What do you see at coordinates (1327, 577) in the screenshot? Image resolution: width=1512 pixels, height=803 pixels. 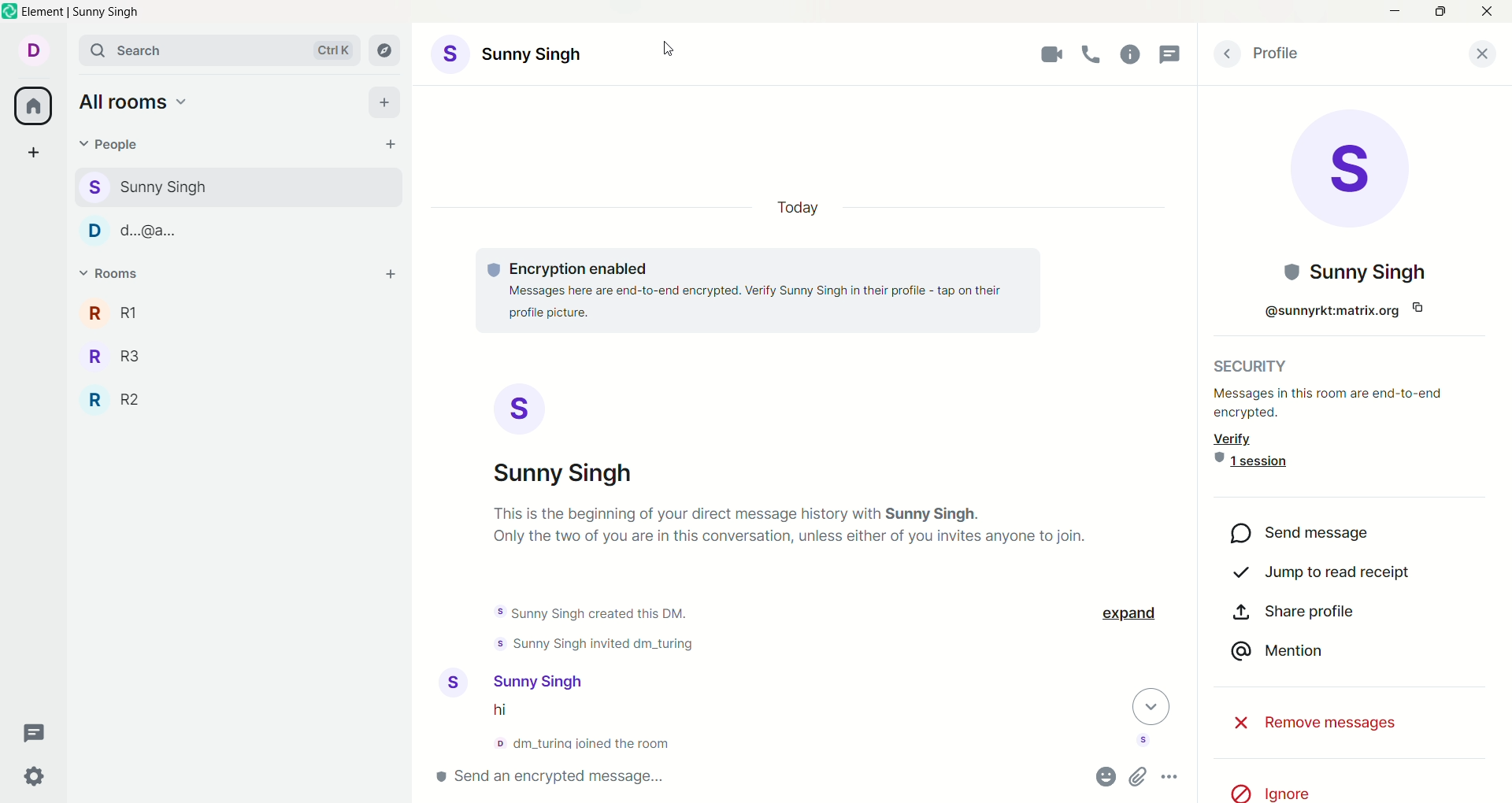 I see `jump to read receipt` at bounding box center [1327, 577].